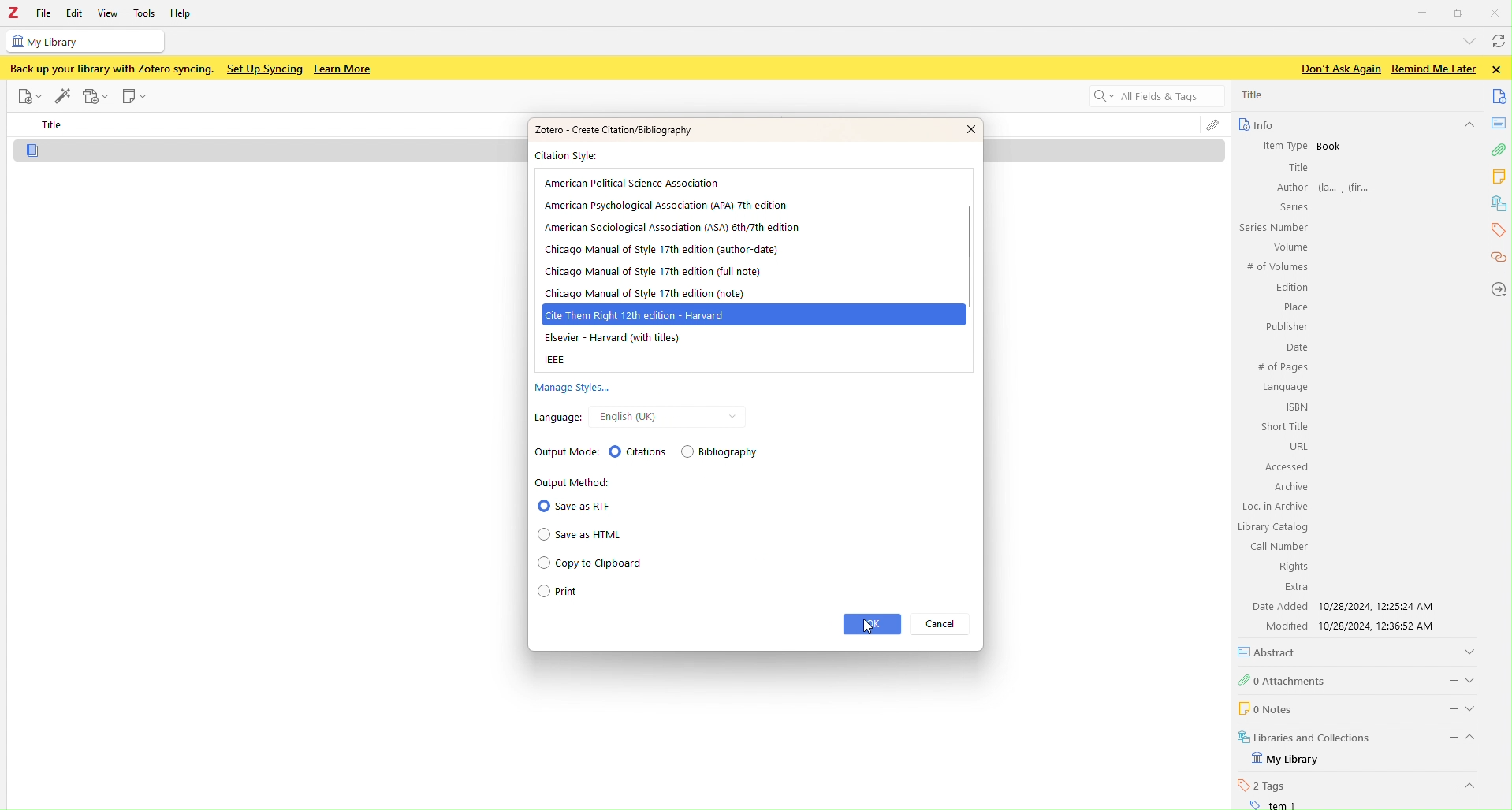 The image size is (1512, 810). What do you see at coordinates (589, 564) in the screenshot?
I see `Copy to Clipboard` at bounding box center [589, 564].